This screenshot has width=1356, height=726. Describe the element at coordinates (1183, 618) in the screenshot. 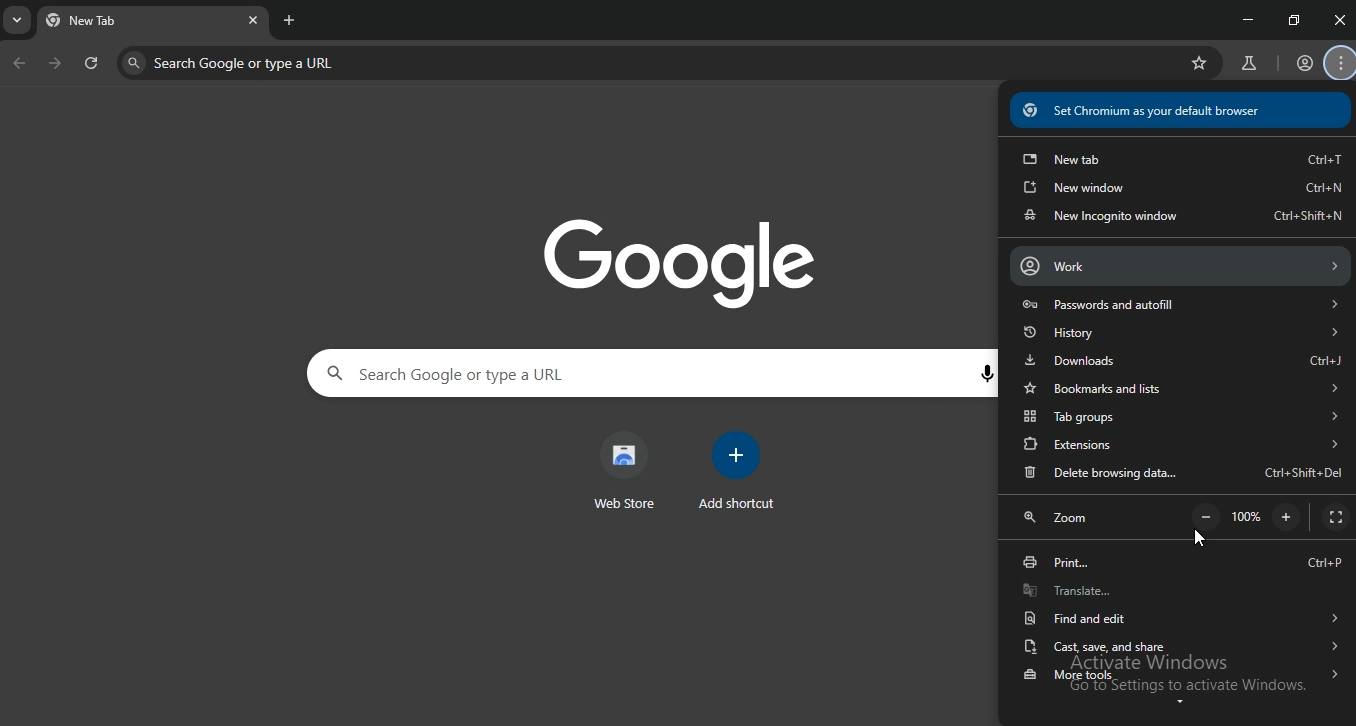

I see `find and edit` at that location.